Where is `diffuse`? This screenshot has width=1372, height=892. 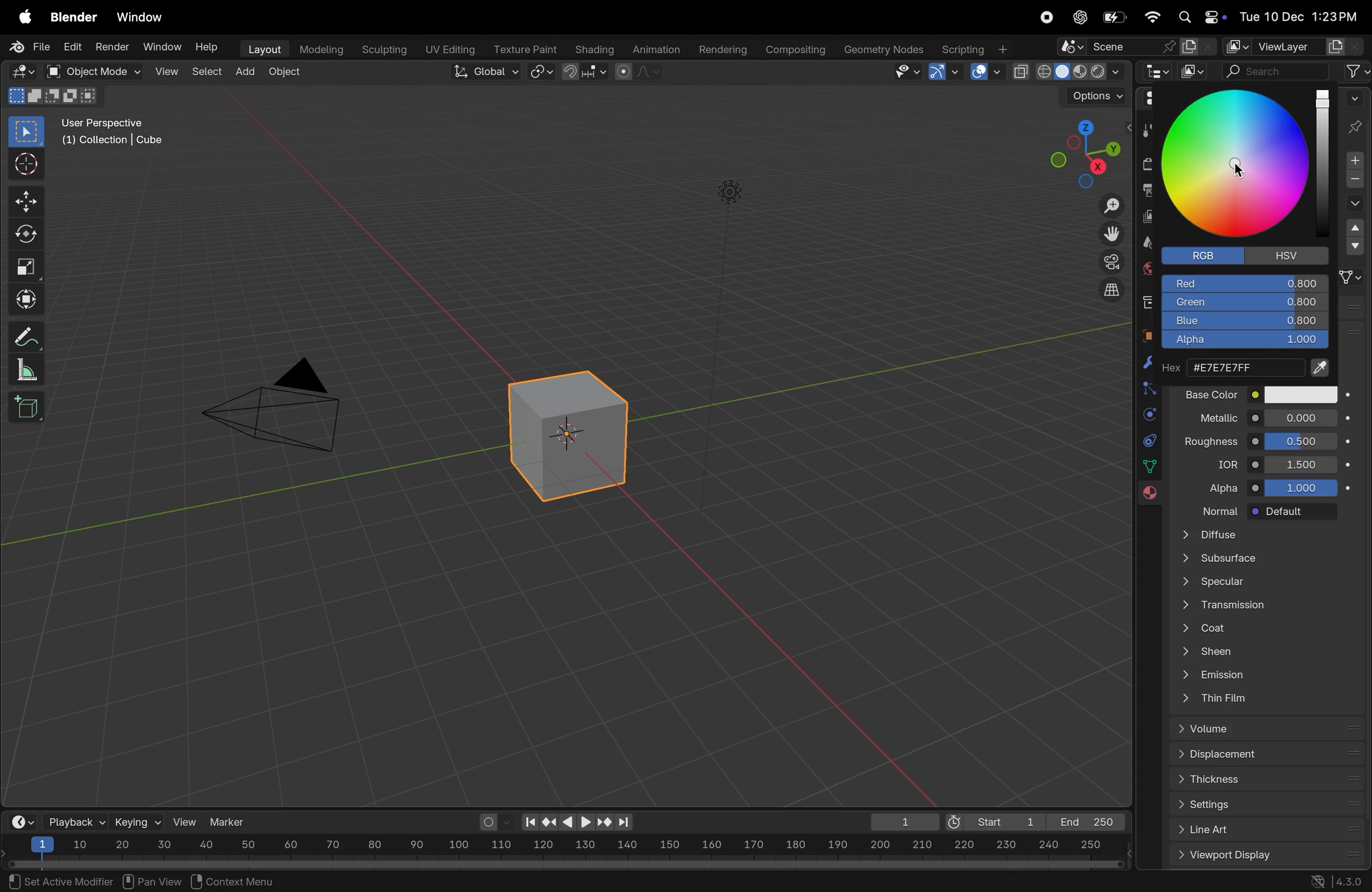
diffuse is located at coordinates (1269, 535).